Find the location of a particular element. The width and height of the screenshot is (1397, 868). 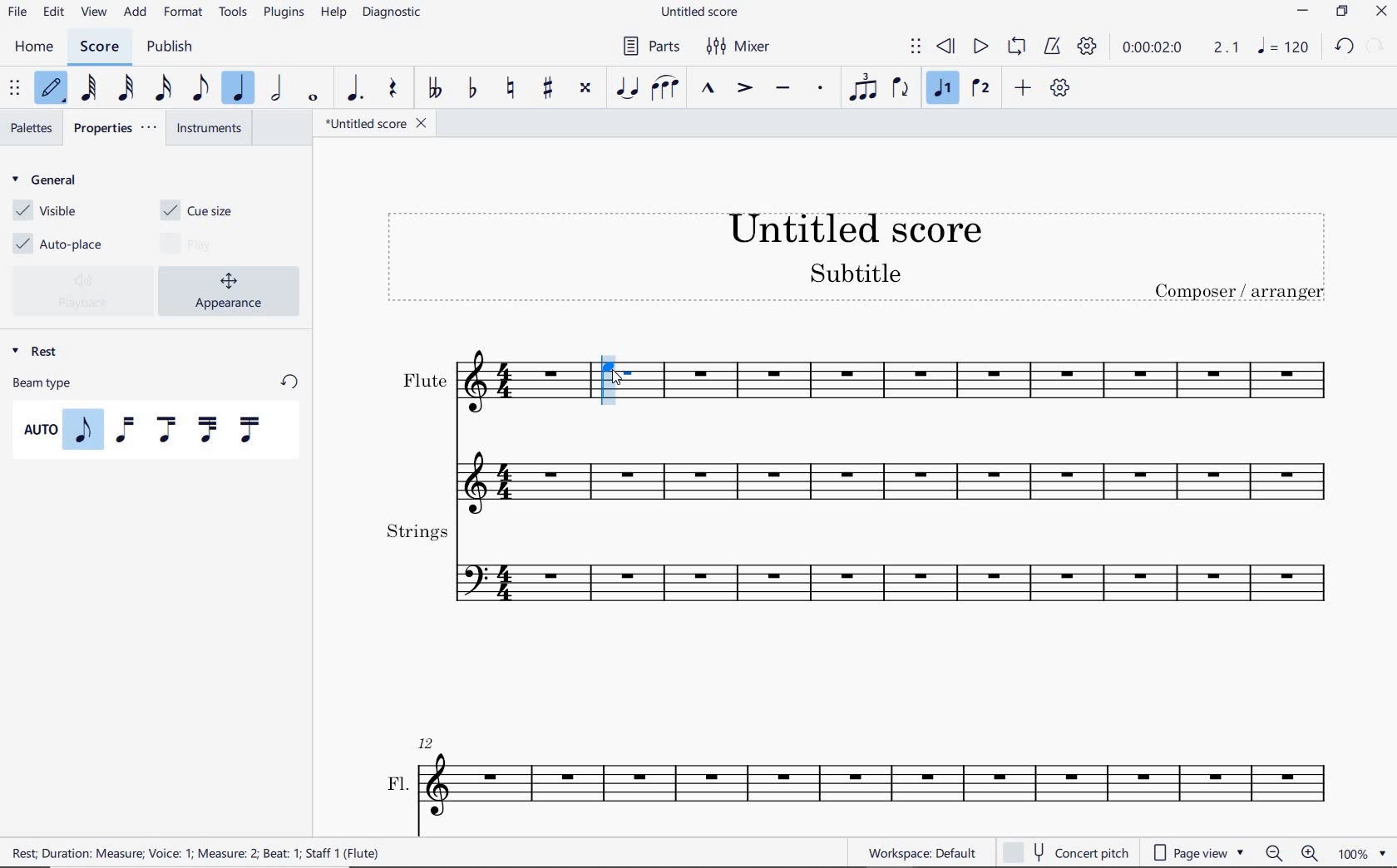

zoom out or zoom in is located at coordinates (1295, 854).